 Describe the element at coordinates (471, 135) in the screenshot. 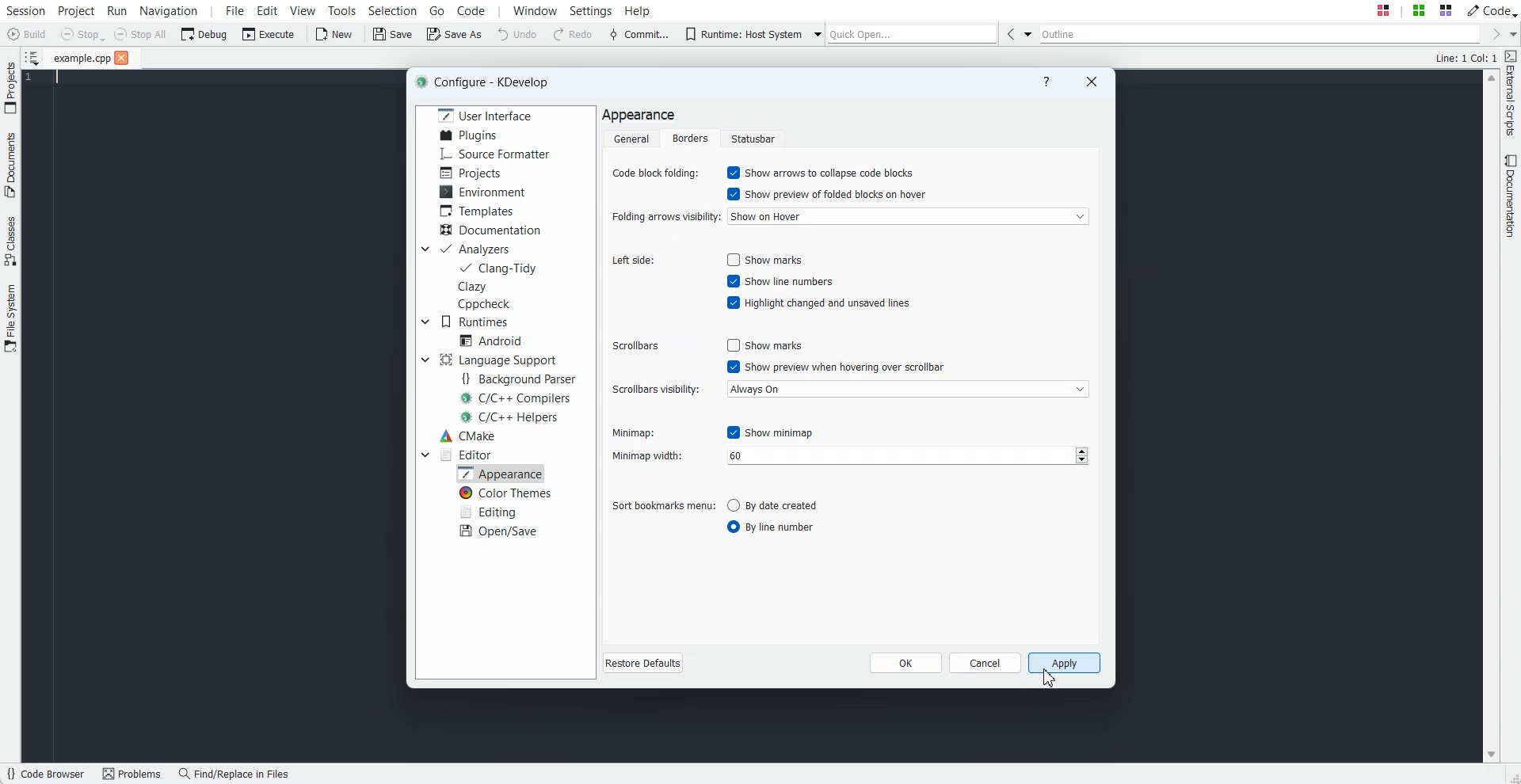

I see `Plugins` at that location.